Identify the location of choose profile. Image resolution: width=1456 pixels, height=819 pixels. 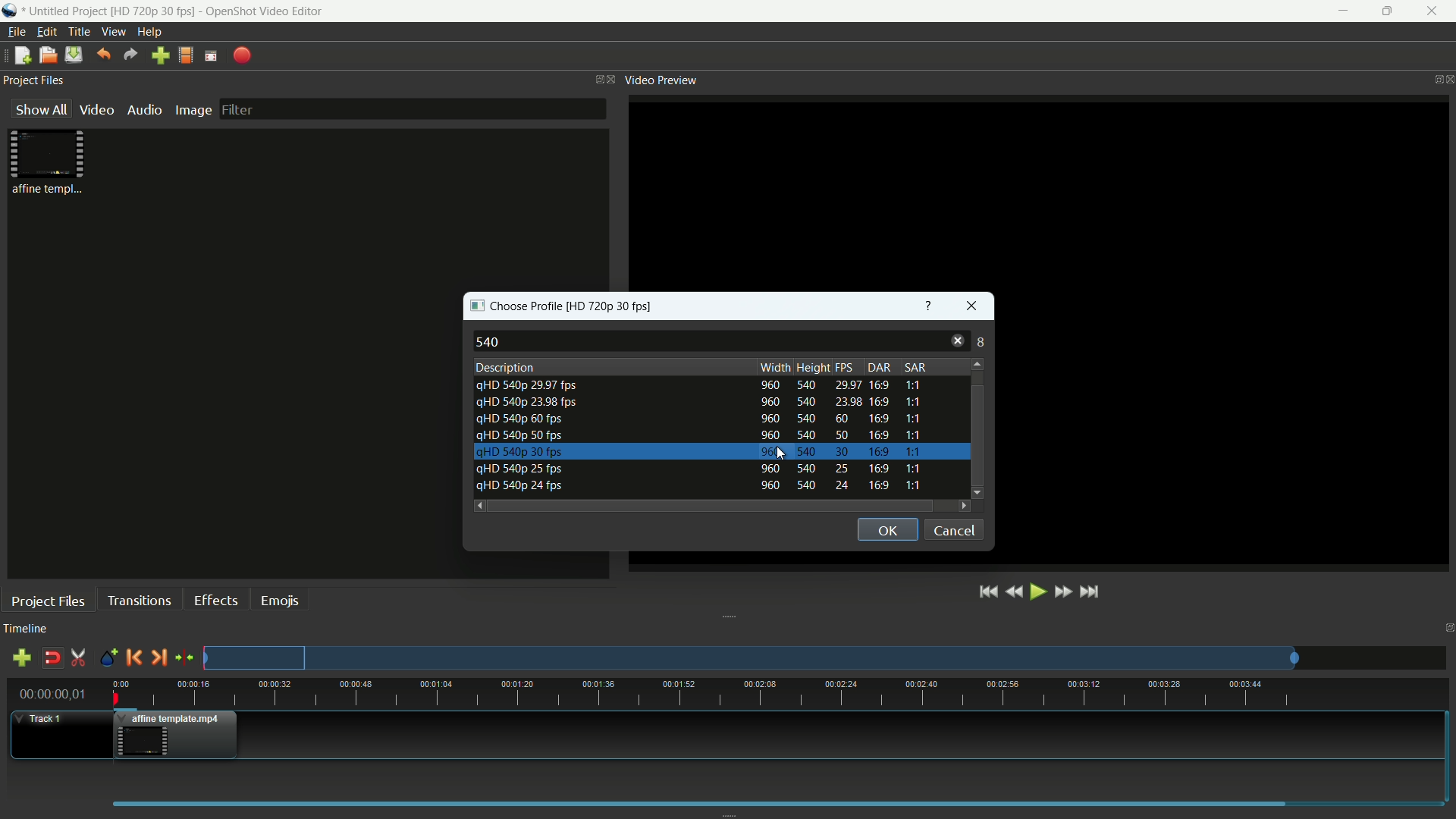
(513, 307).